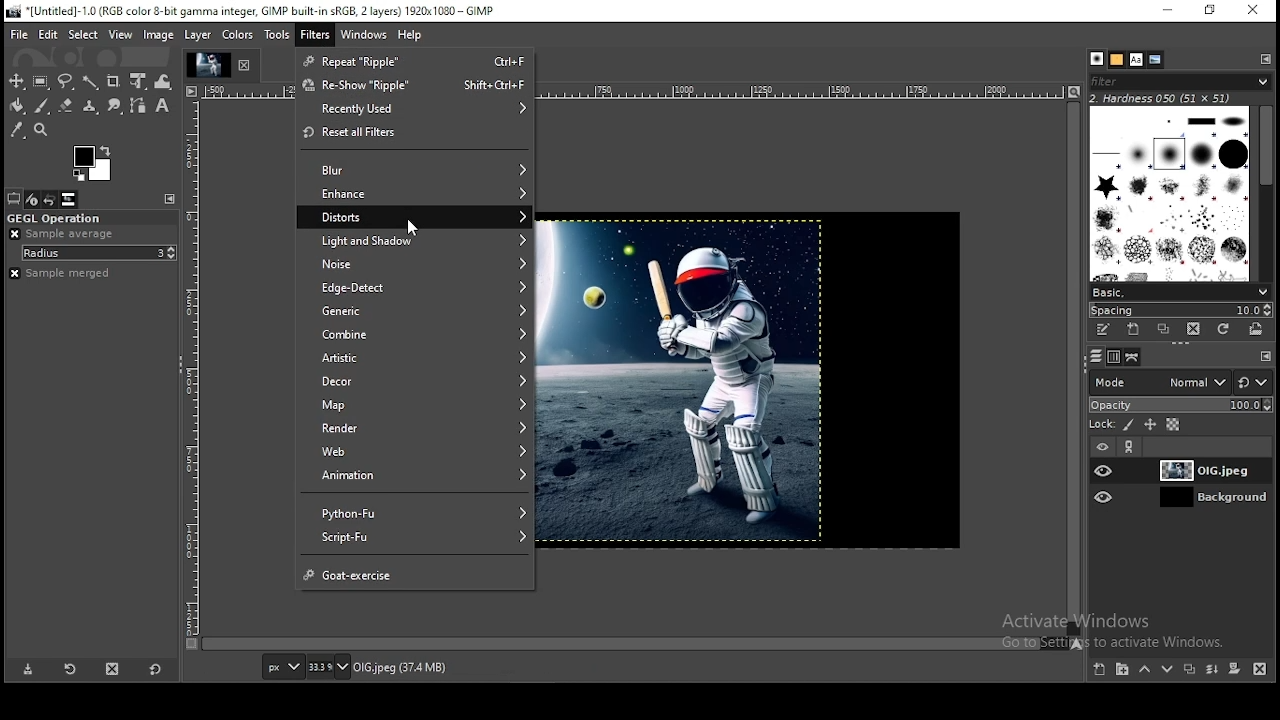 This screenshot has height=720, width=1280. Describe the element at coordinates (1253, 382) in the screenshot. I see `switch to another group of modes` at that location.